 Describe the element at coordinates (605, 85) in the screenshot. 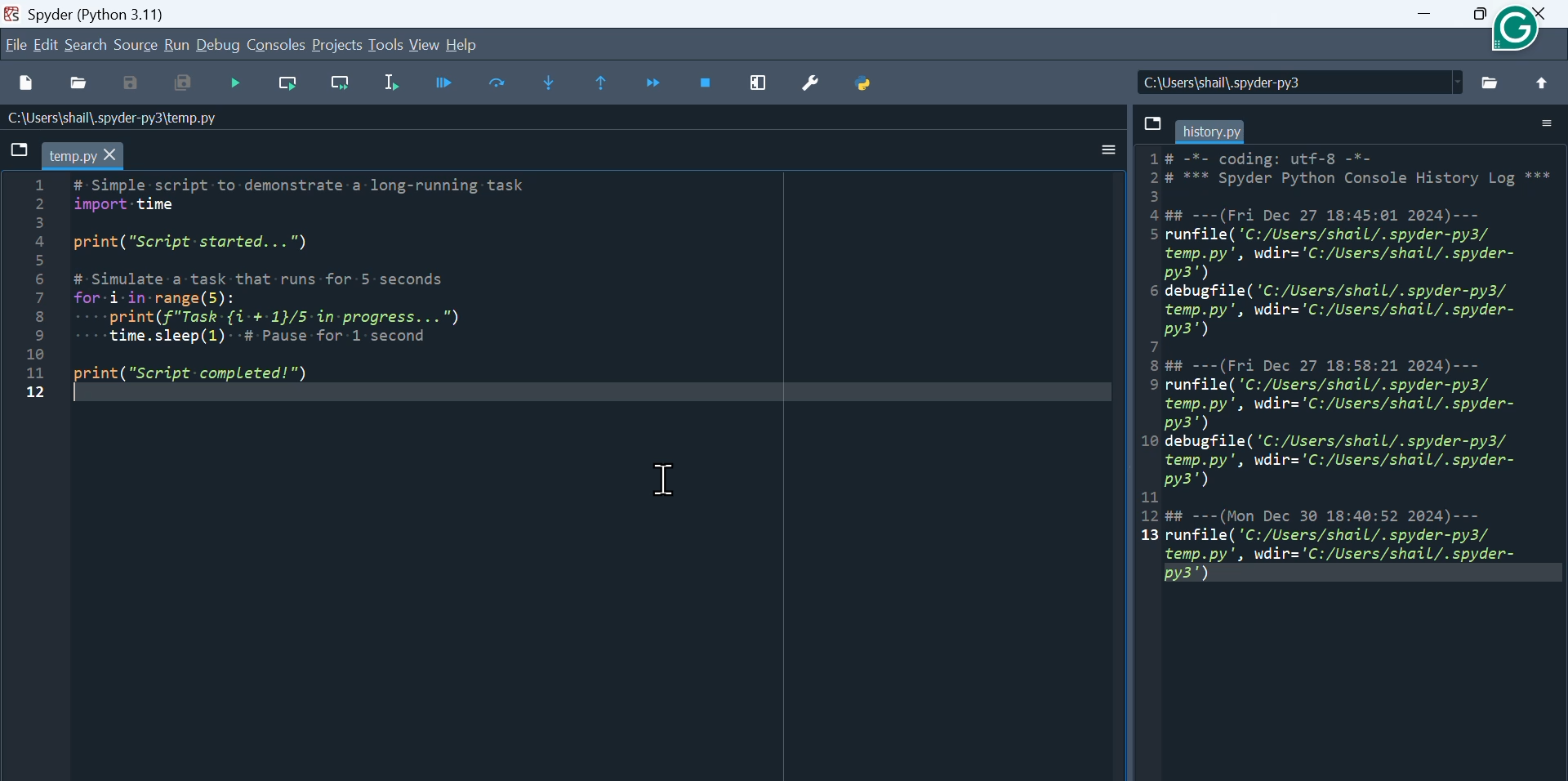

I see `Execute until next function returns` at that location.